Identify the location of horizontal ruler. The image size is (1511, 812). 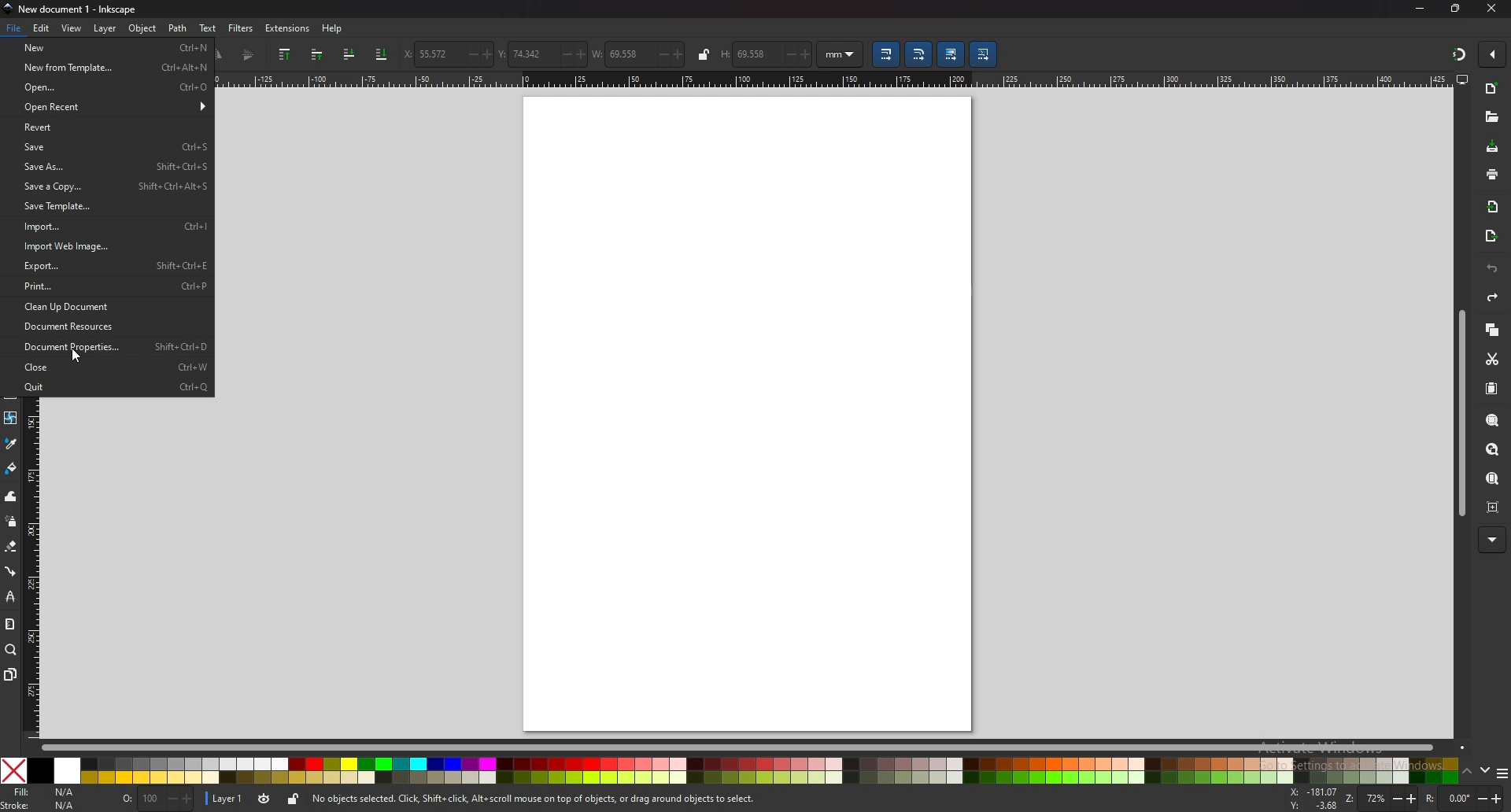
(841, 81).